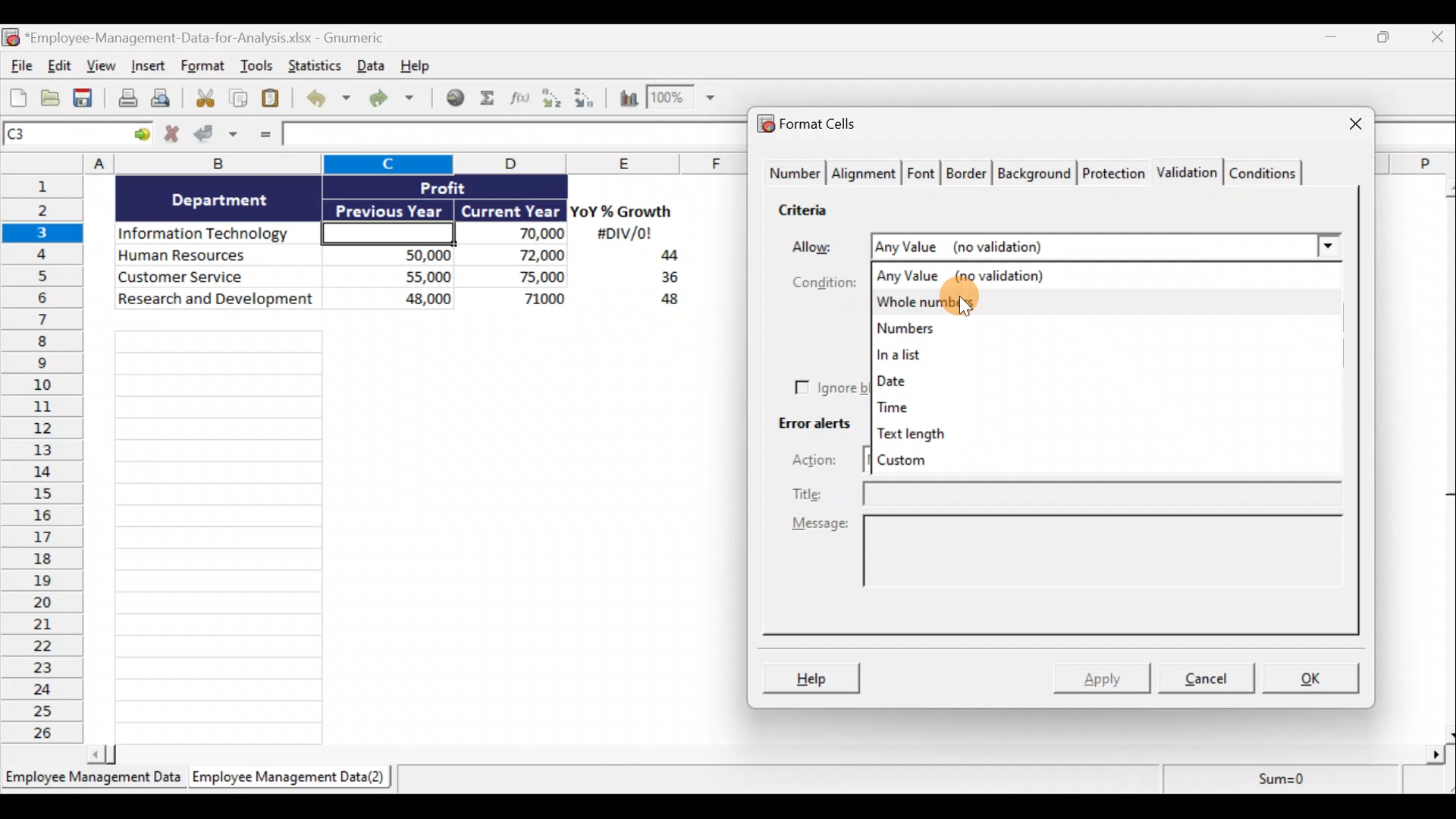 The height and width of the screenshot is (819, 1456). Describe the element at coordinates (58, 67) in the screenshot. I see `Edit` at that location.